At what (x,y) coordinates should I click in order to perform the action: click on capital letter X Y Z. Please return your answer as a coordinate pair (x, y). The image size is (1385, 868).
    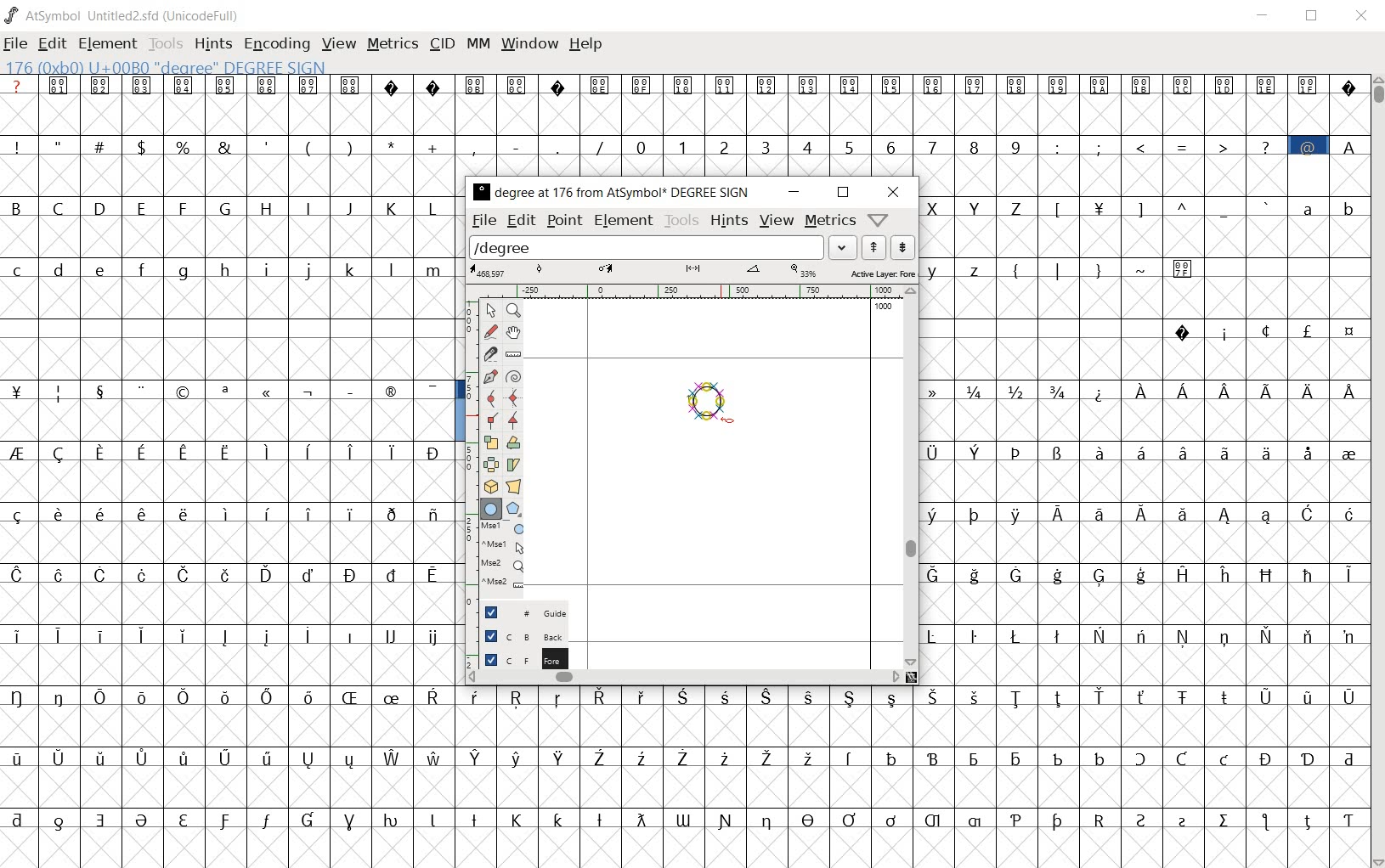
    Looking at the image, I should click on (981, 207).